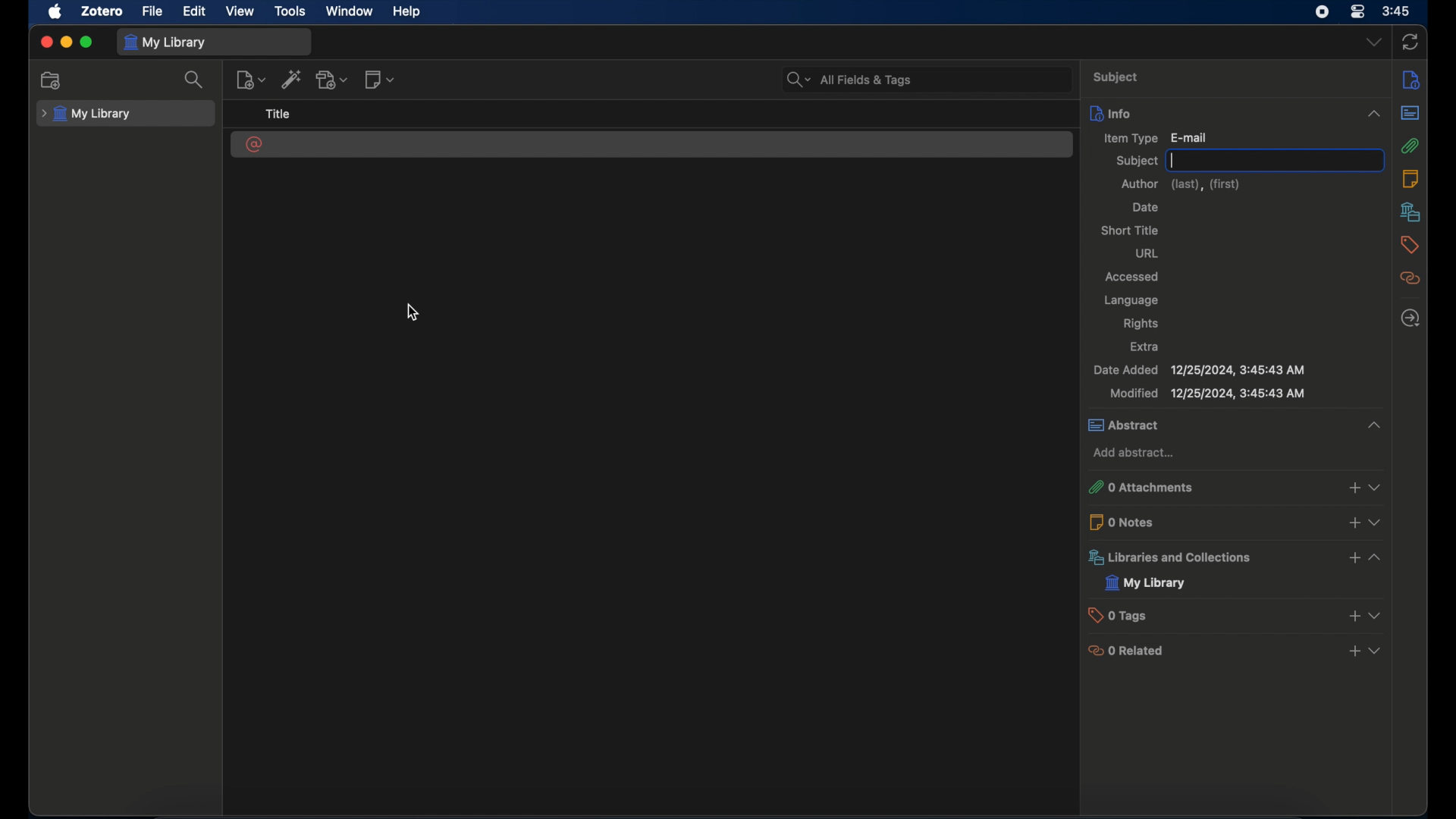 The height and width of the screenshot is (819, 1456). What do you see at coordinates (1234, 112) in the screenshot?
I see `info` at bounding box center [1234, 112].